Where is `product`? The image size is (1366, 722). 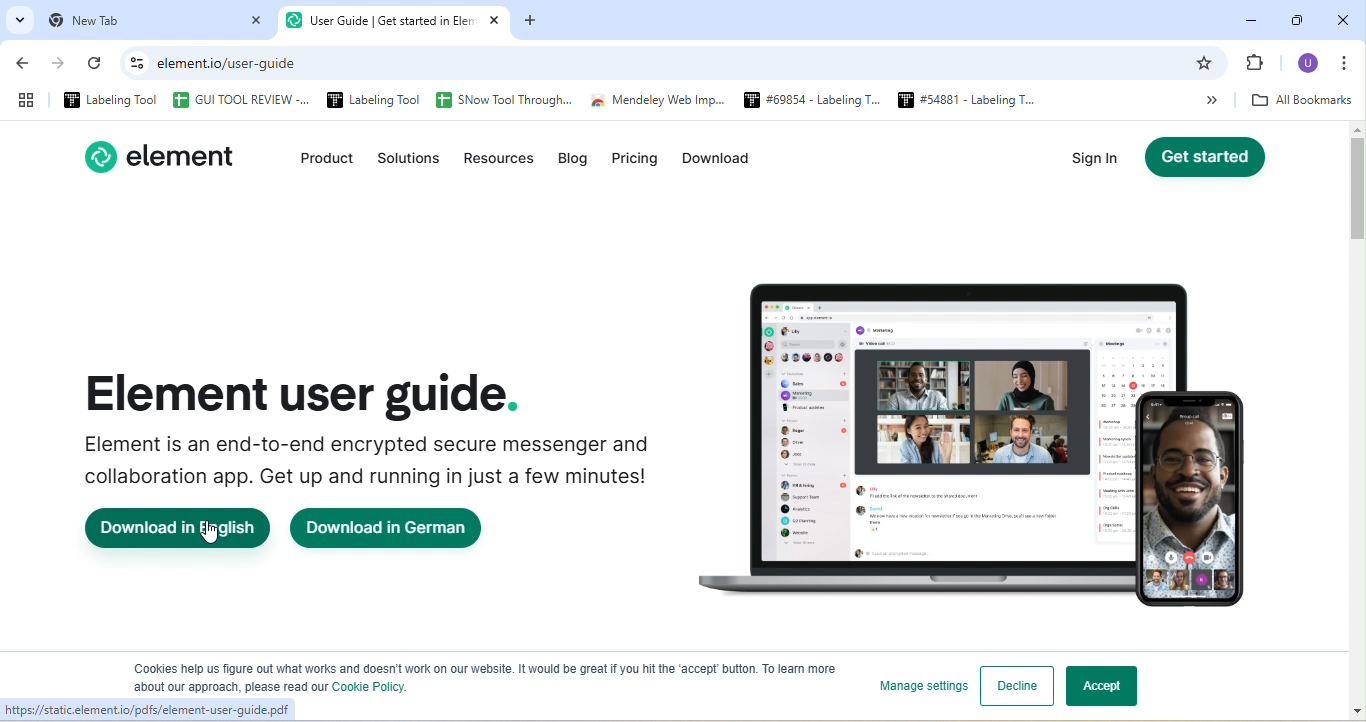
product is located at coordinates (319, 159).